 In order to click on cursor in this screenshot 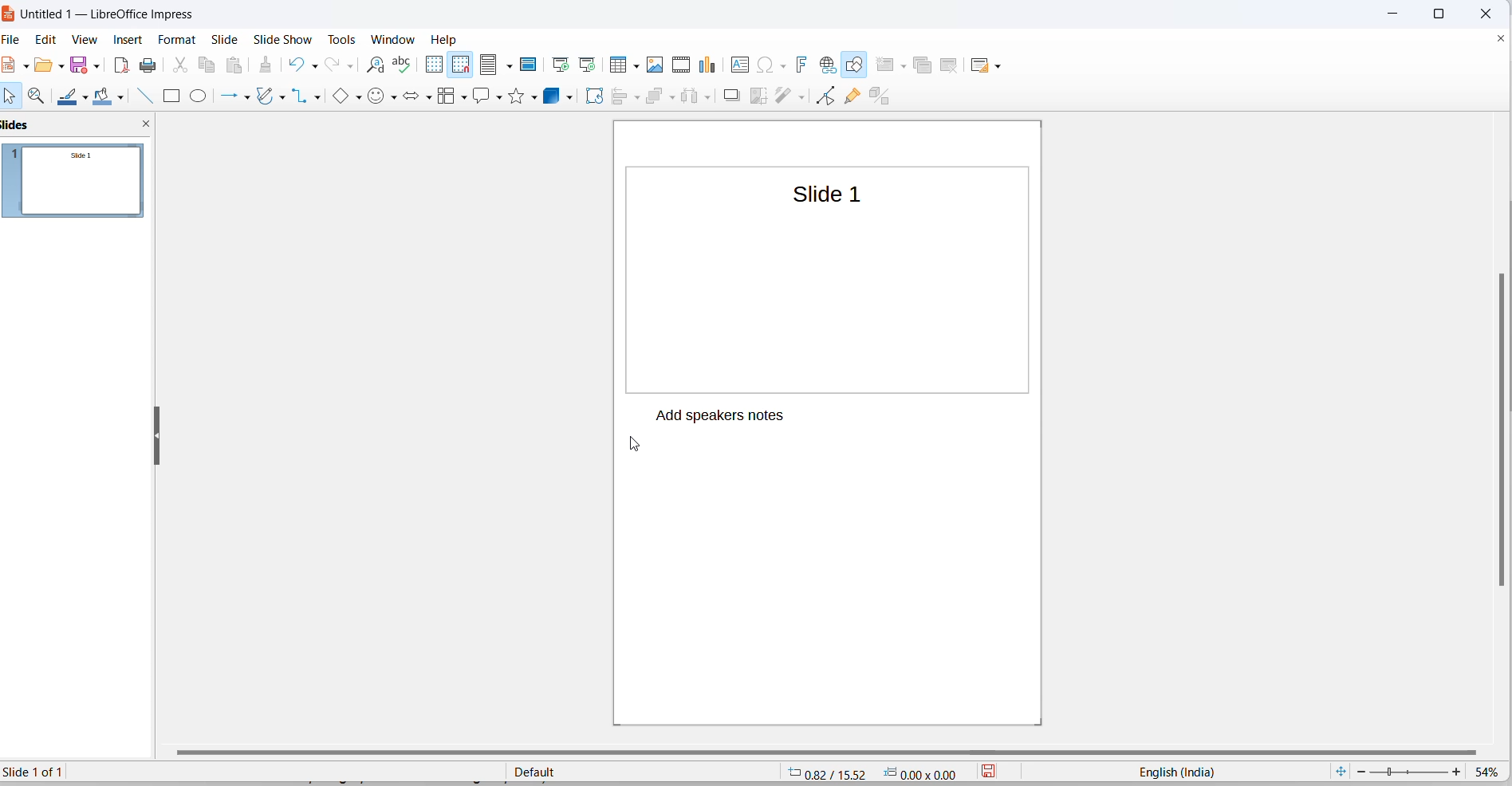, I will do `click(513, 71)`.